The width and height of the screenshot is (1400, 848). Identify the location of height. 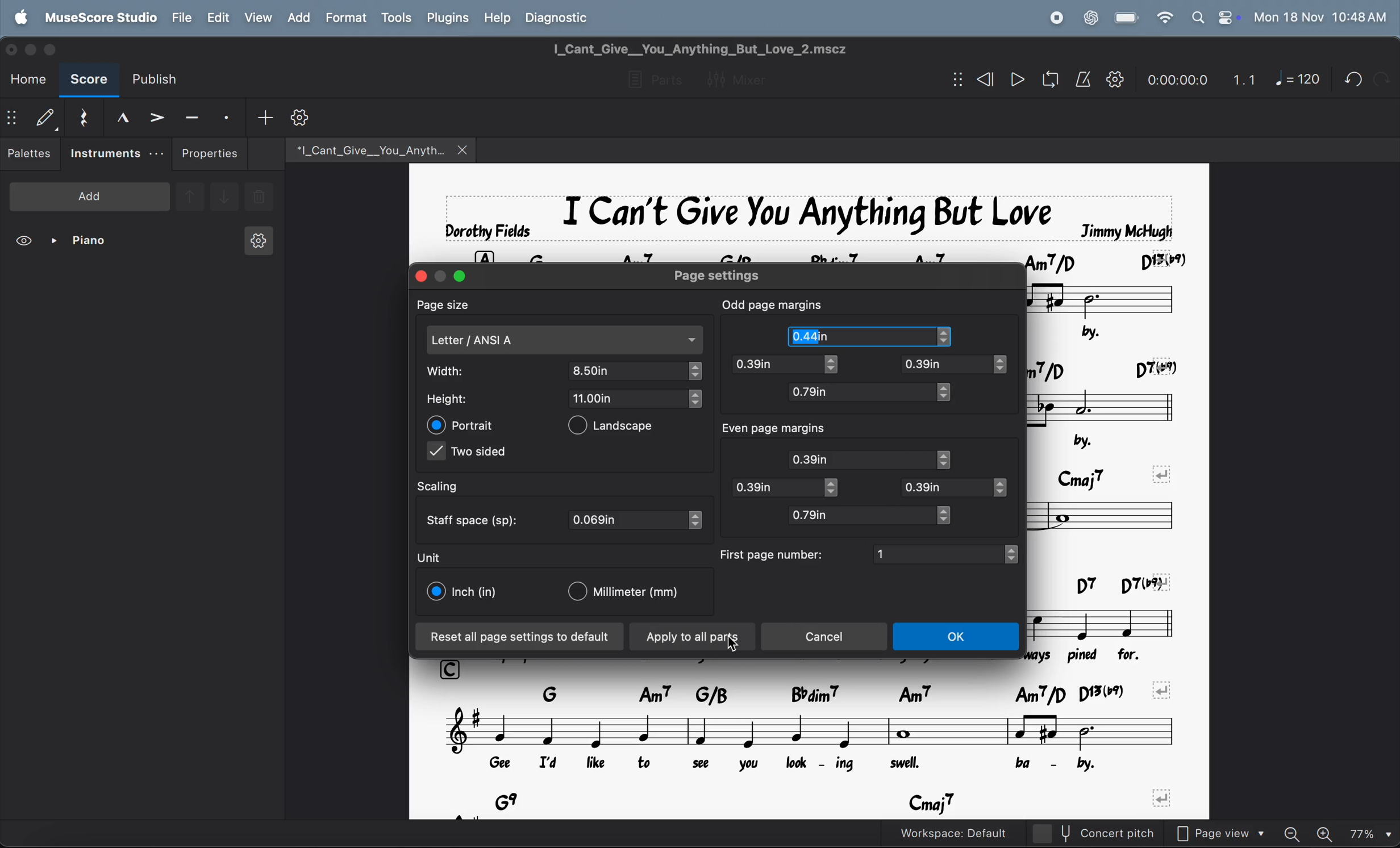
(456, 399).